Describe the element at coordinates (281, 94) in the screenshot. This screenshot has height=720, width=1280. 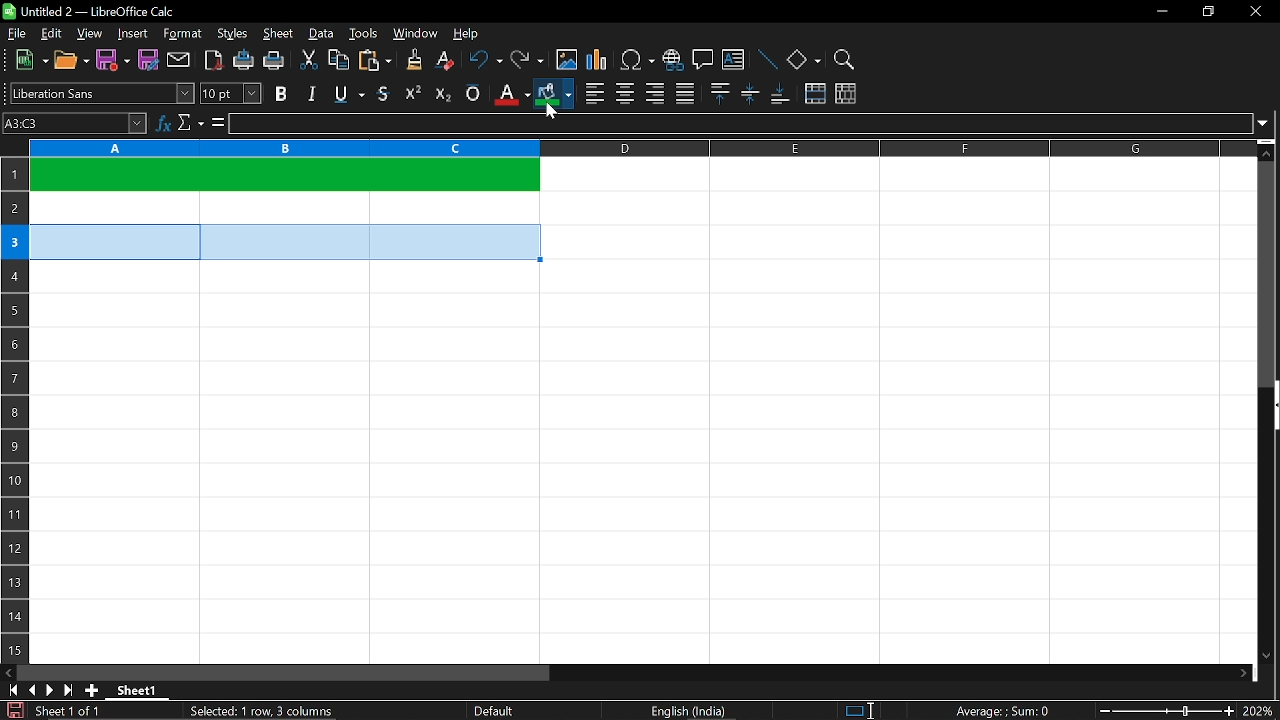
I see `bold` at that location.